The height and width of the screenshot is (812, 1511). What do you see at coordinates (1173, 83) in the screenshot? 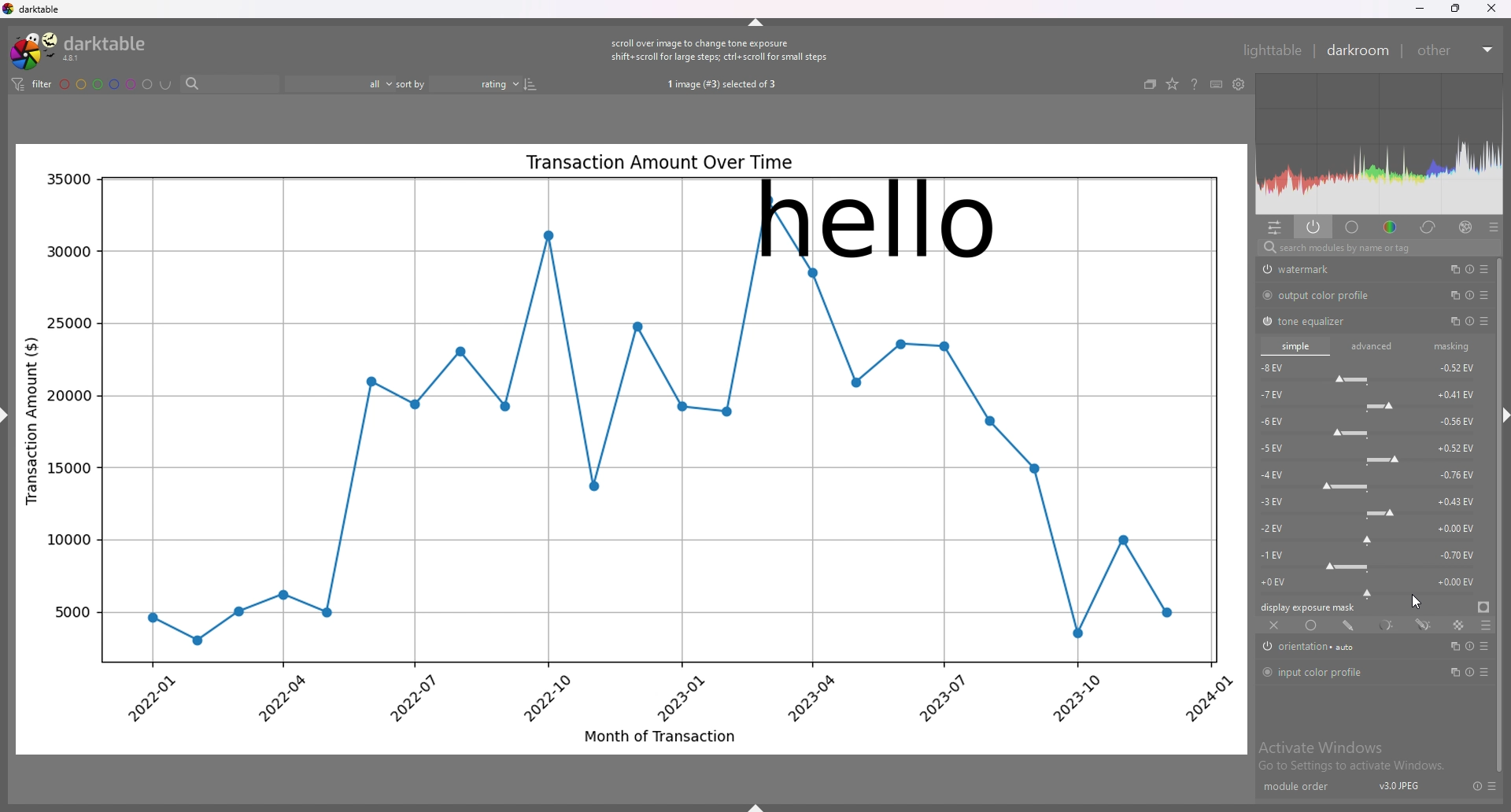
I see `change type of overlays` at bounding box center [1173, 83].